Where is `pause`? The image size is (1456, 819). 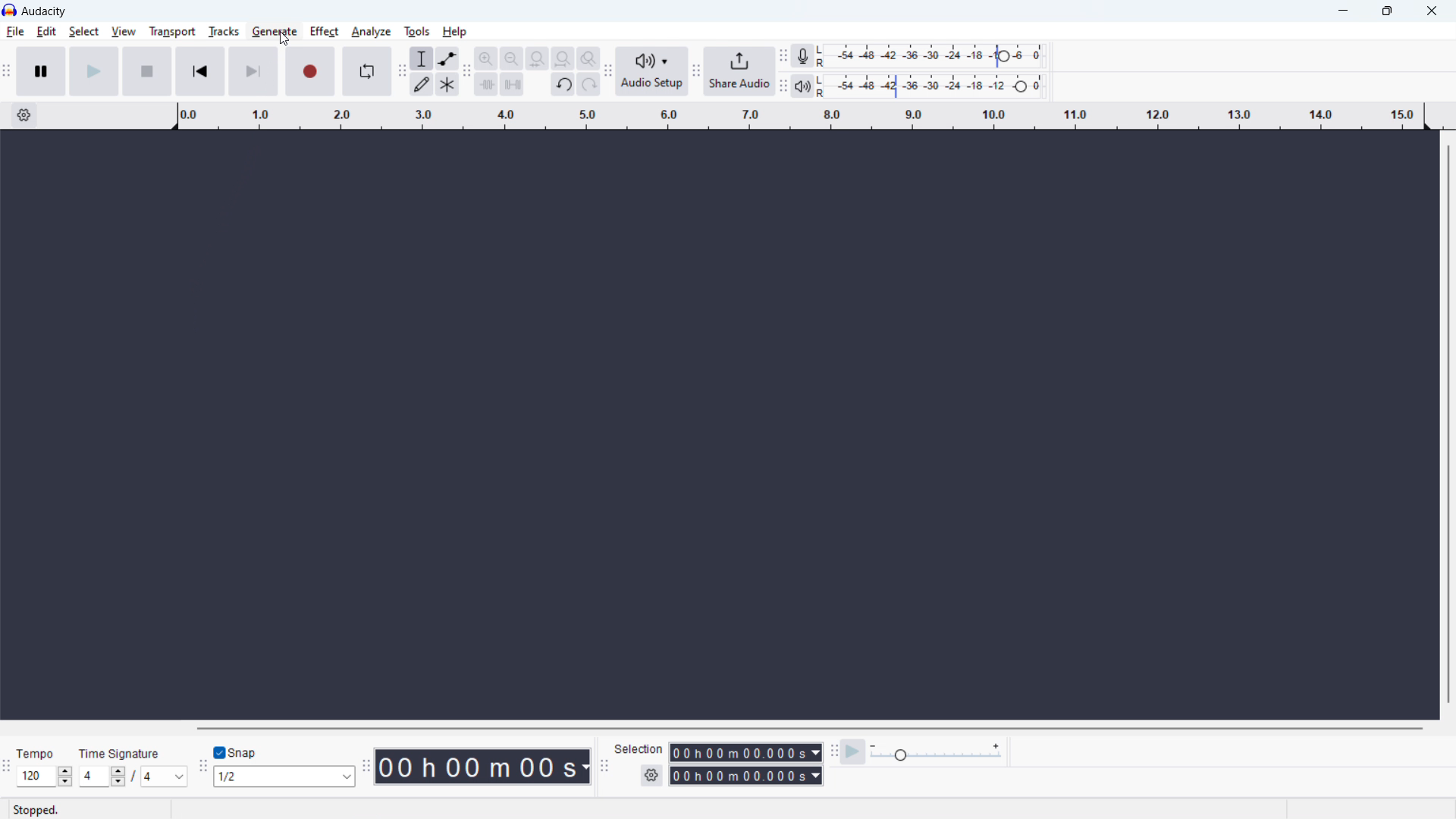 pause is located at coordinates (39, 71).